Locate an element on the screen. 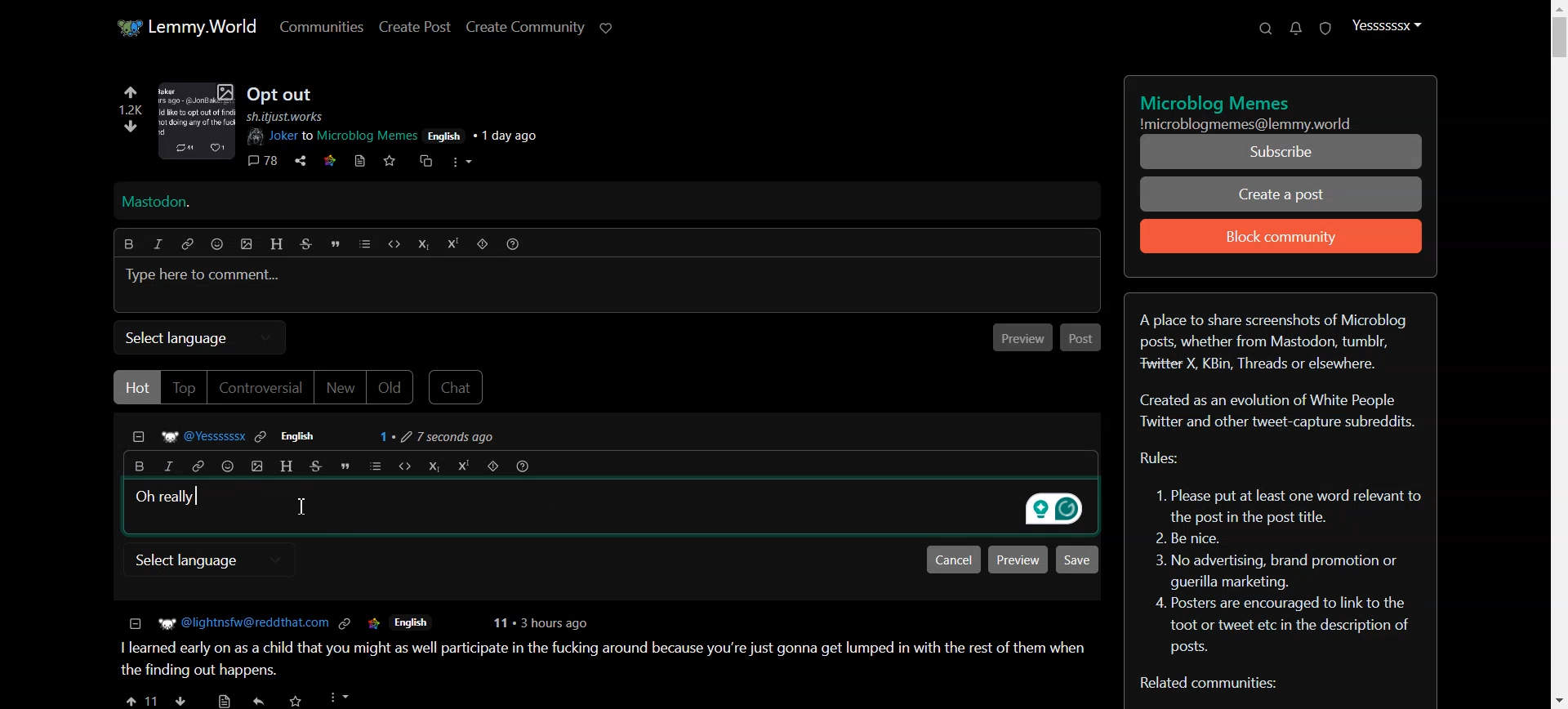 The image size is (1568, 709). Subscript is located at coordinates (432, 466).